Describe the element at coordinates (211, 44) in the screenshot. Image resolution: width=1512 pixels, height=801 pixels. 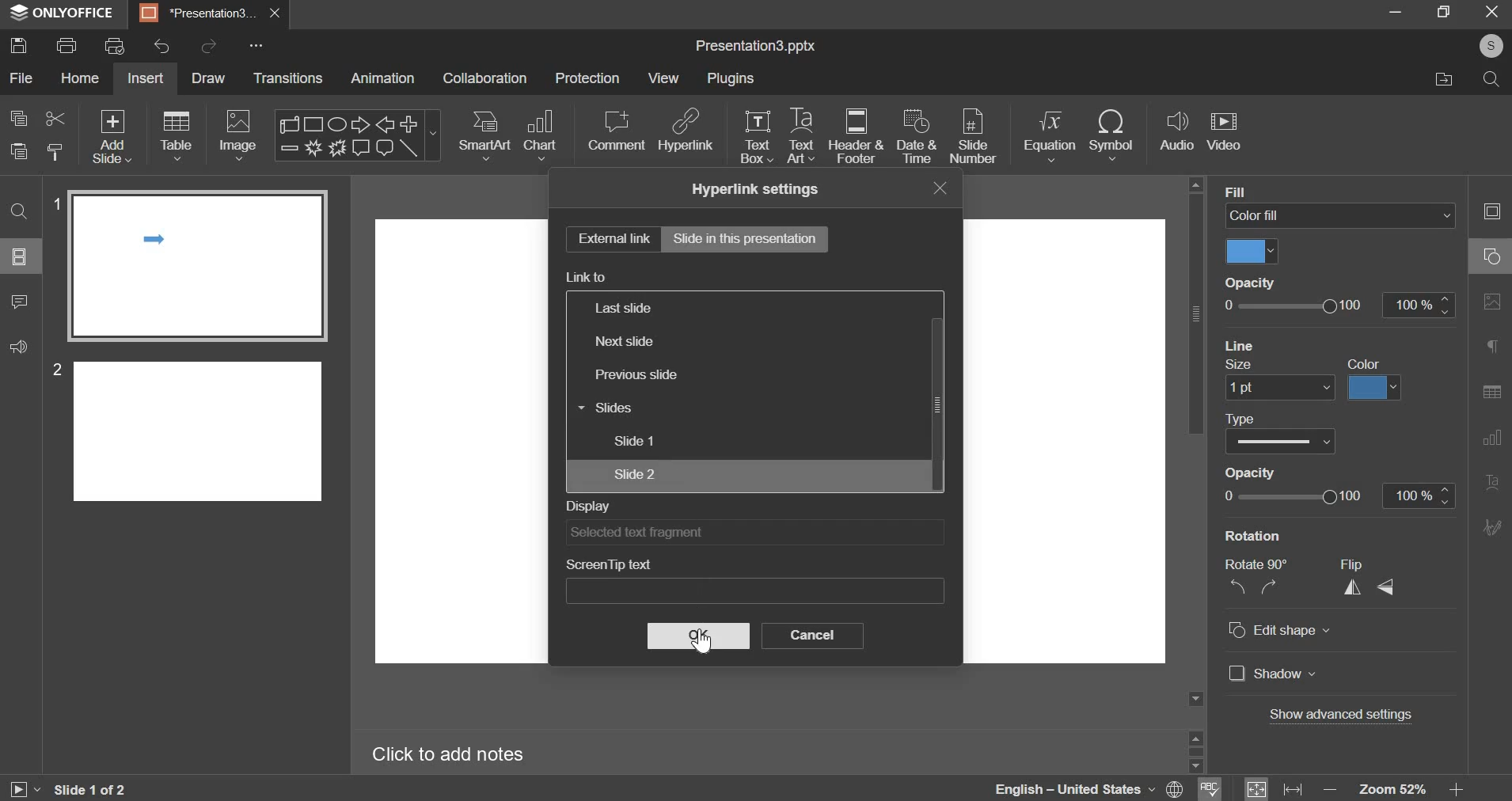
I see `redo` at that location.